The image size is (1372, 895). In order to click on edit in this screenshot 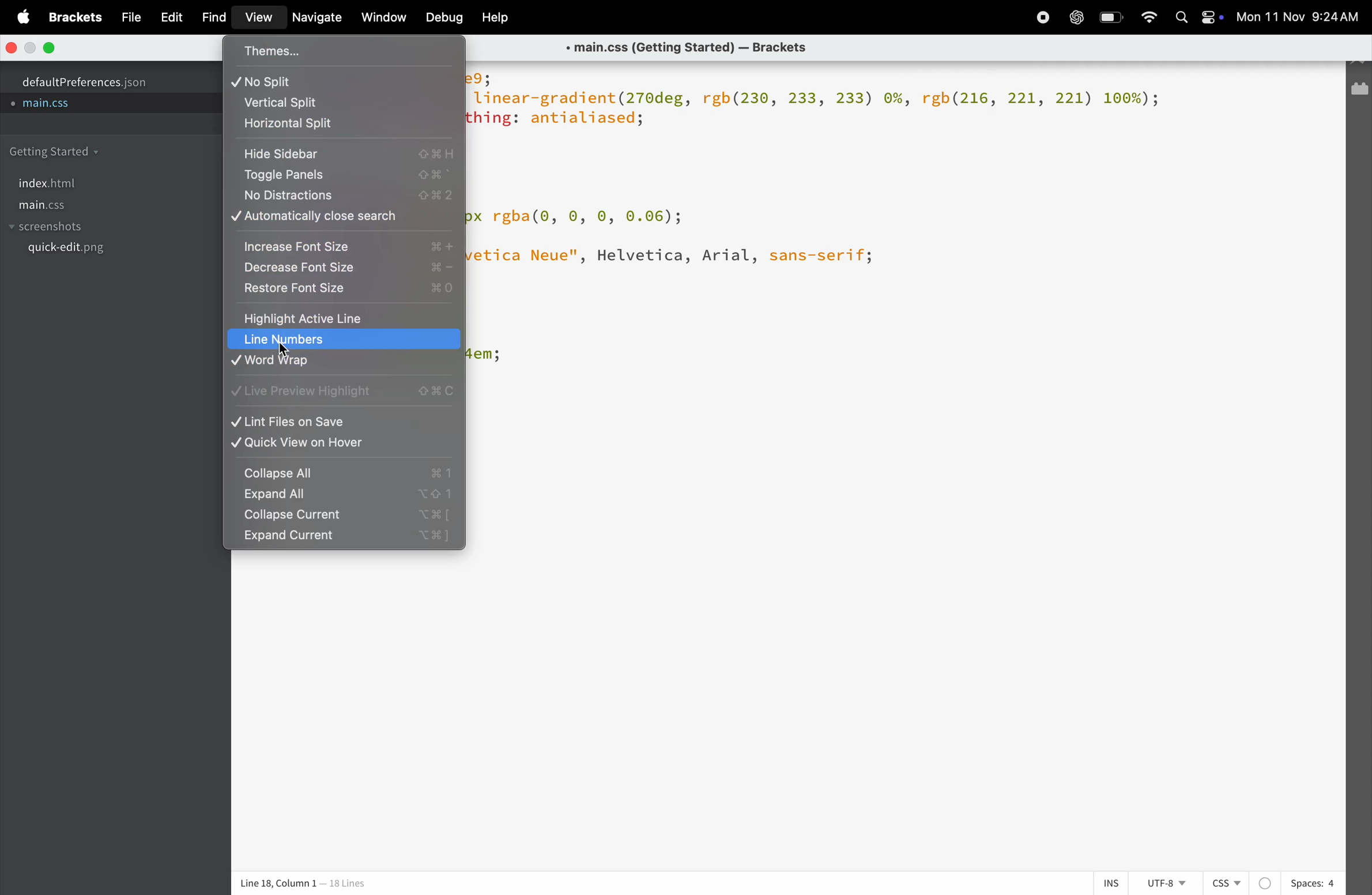, I will do `click(167, 16)`.